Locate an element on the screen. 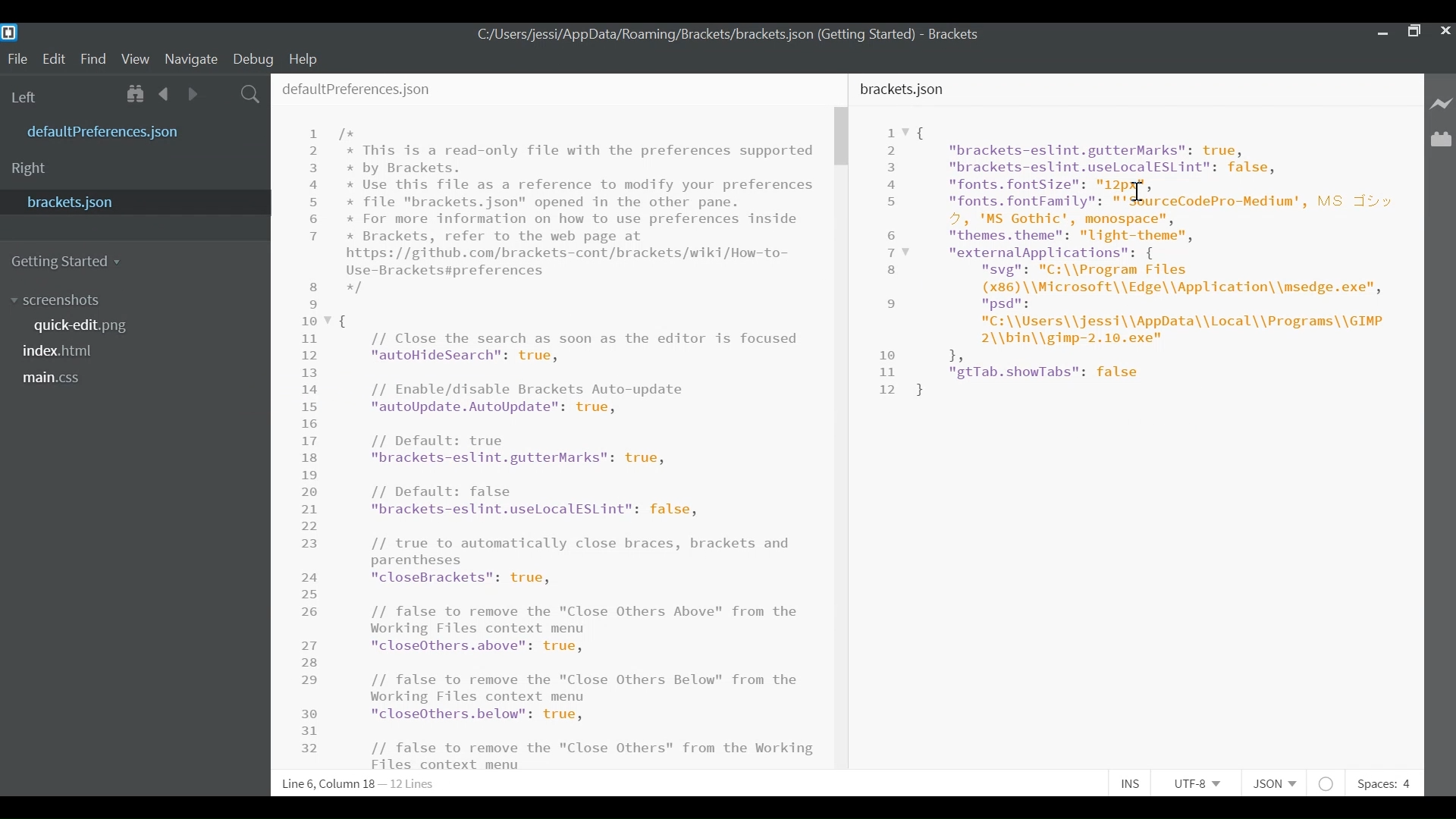 The image size is (1456, 819). C:/Users/jessi/AppData/Roaming/Brackets/brackets.json (Getting Started) - Brackets is located at coordinates (729, 37).